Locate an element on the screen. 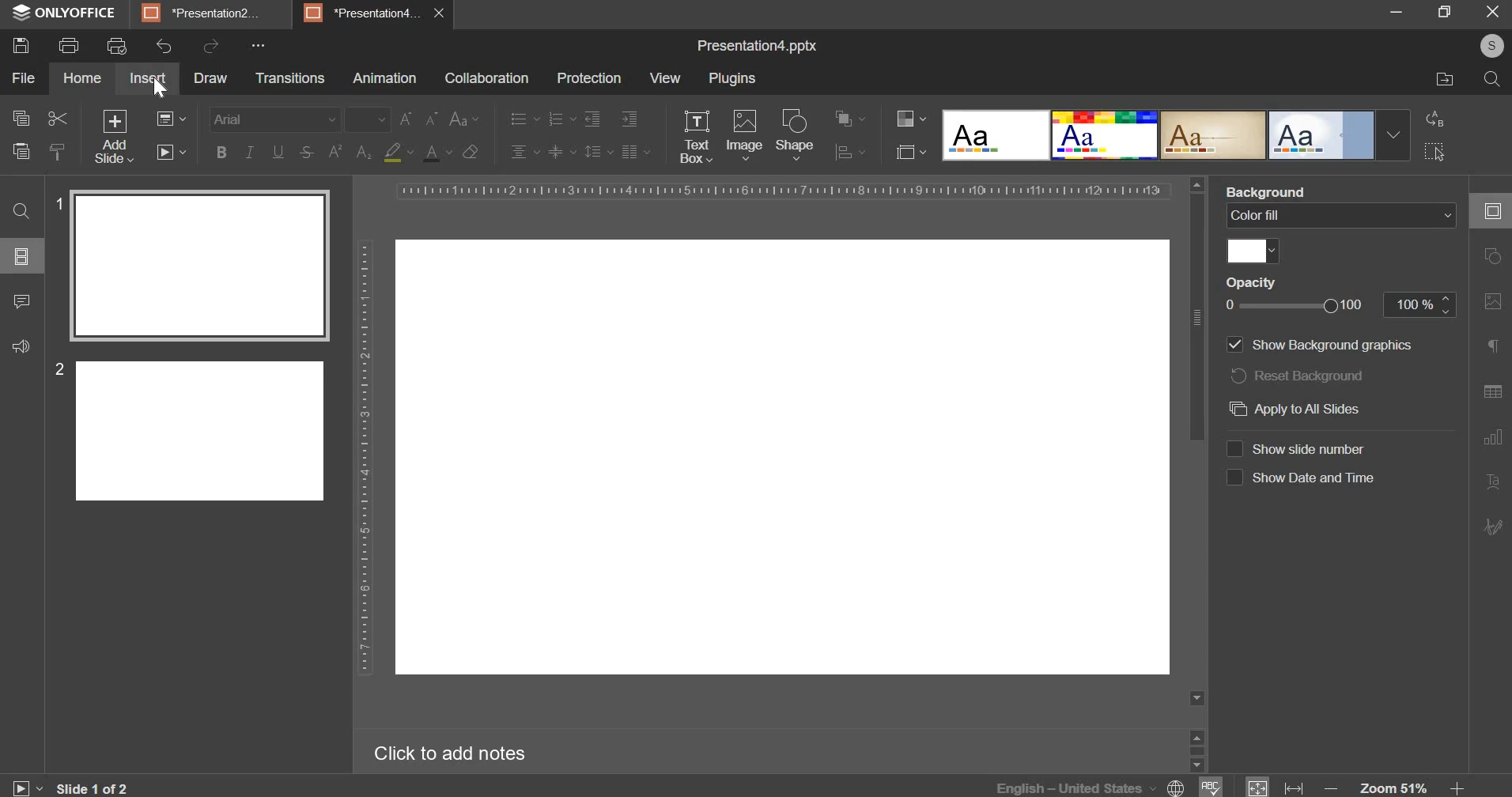 The width and height of the screenshot is (1512, 797). click is located at coordinates (1443, 154).